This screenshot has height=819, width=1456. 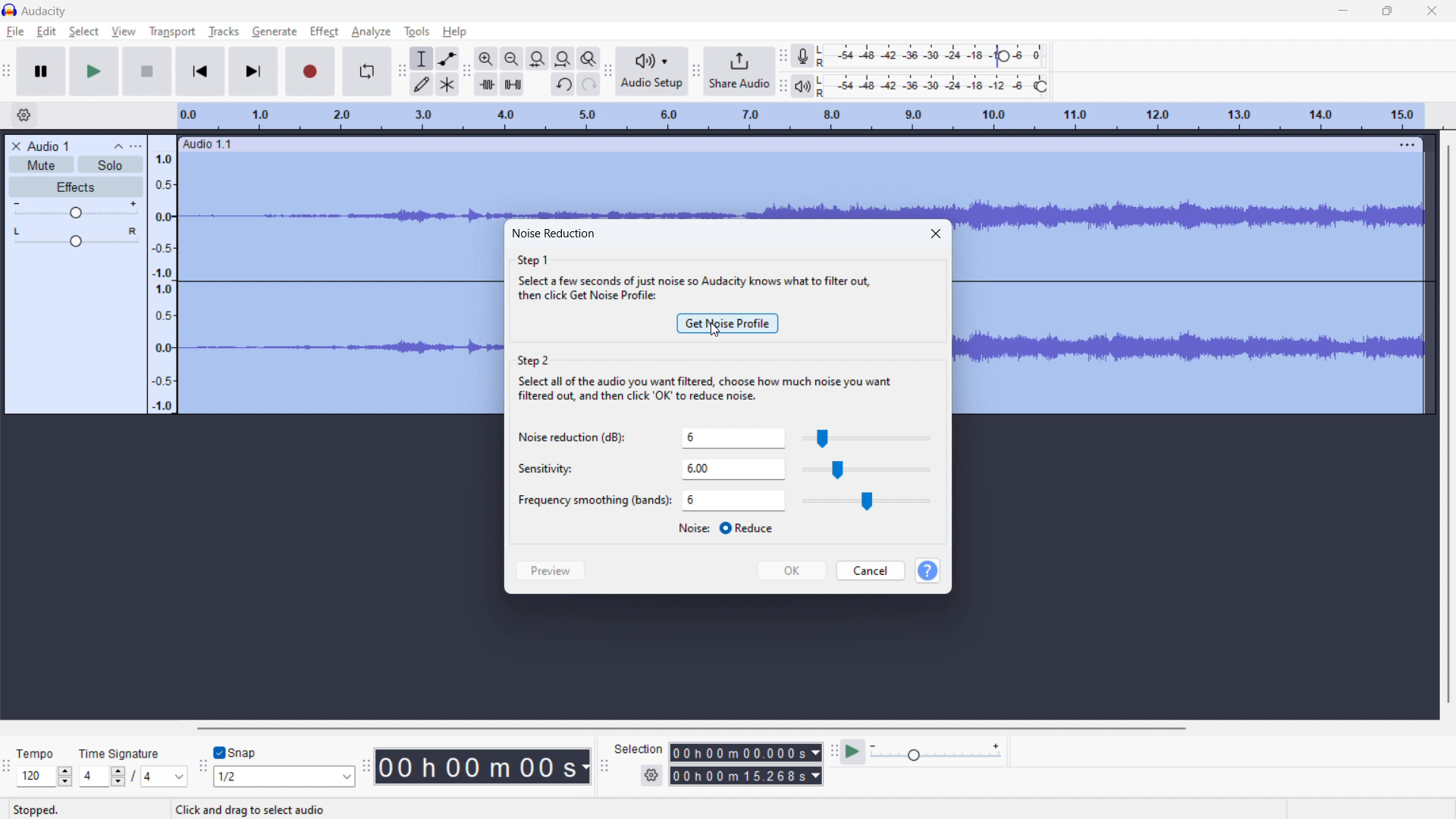 What do you see at coordinates (283, 777) in the screenshot?
I see `select snapping` at bounding box center [283, 777].